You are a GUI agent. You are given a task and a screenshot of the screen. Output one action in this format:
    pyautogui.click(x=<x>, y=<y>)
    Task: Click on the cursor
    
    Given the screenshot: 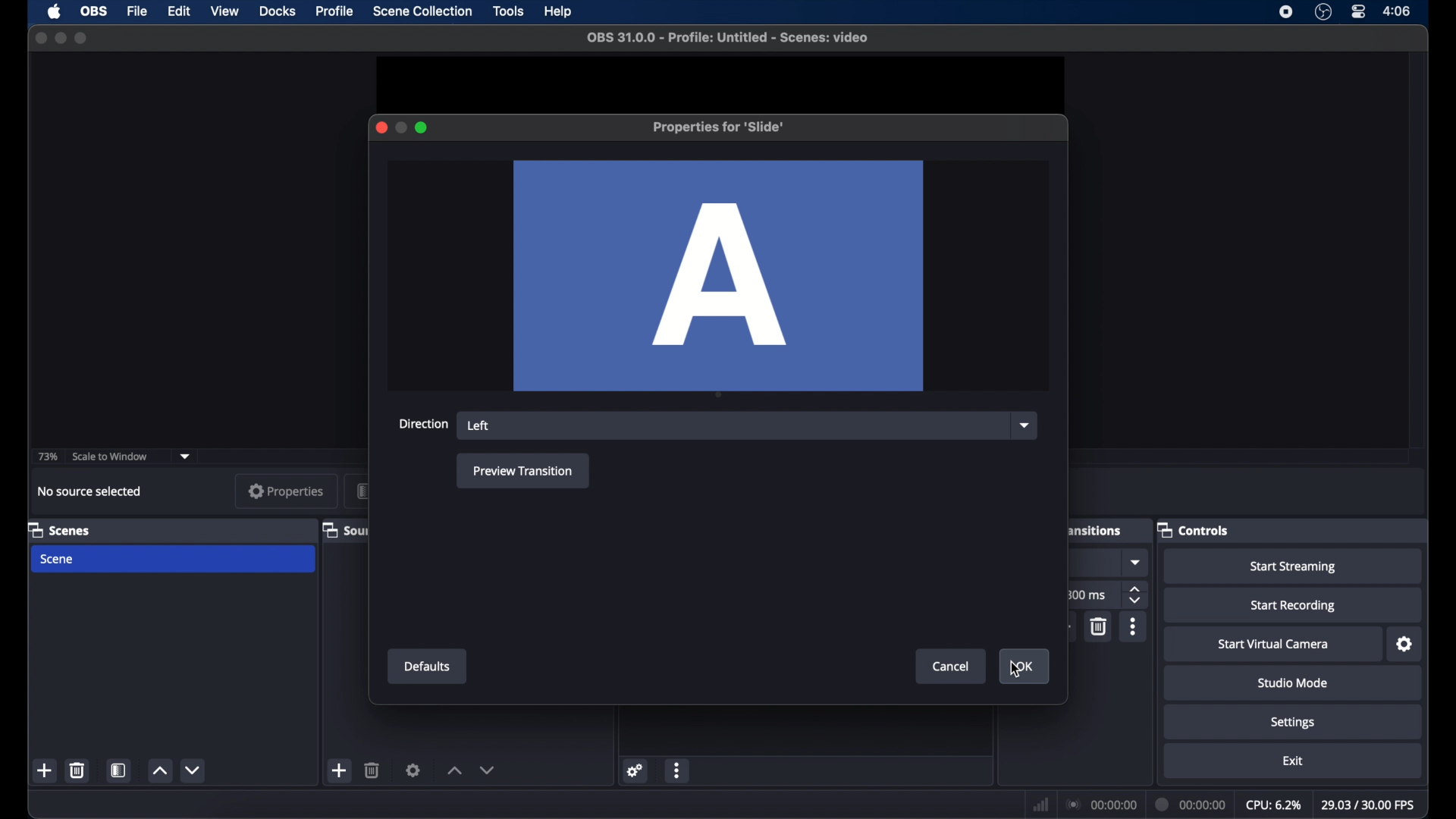 What is the action you would take?
    pyautogui.click(x=1015, y=669)
    